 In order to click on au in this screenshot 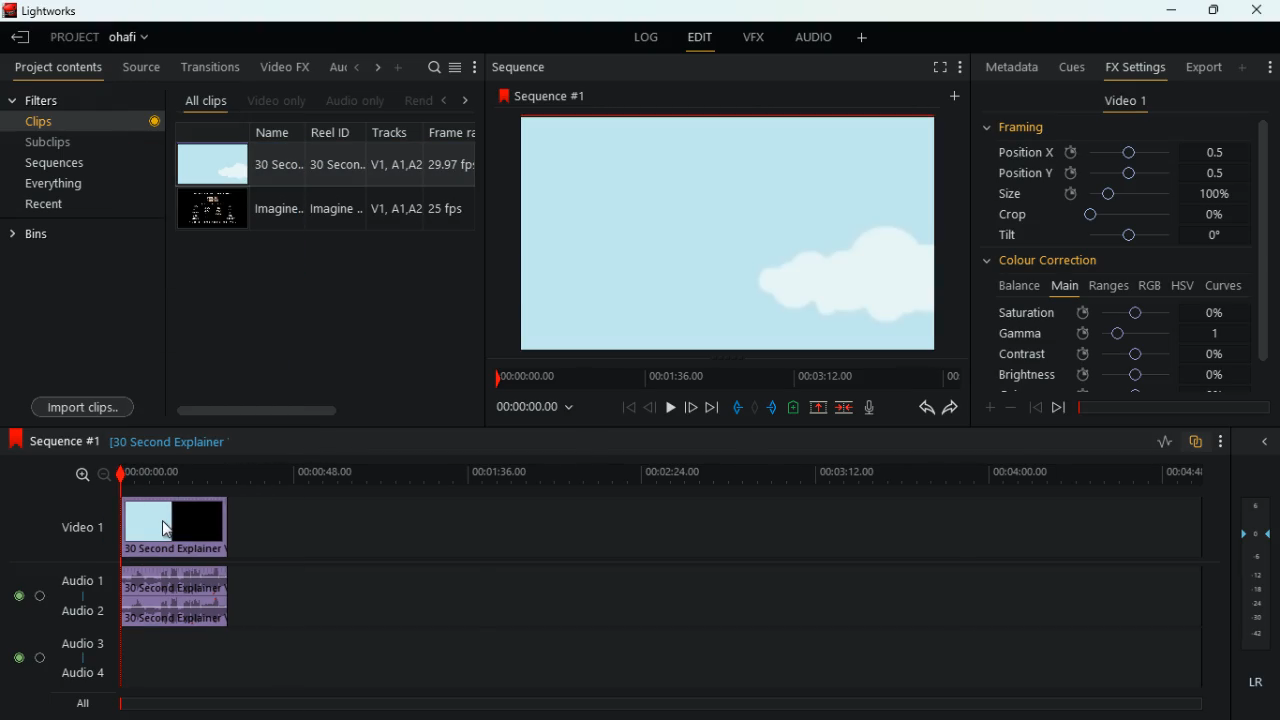, I will do `click(331, 65)`.